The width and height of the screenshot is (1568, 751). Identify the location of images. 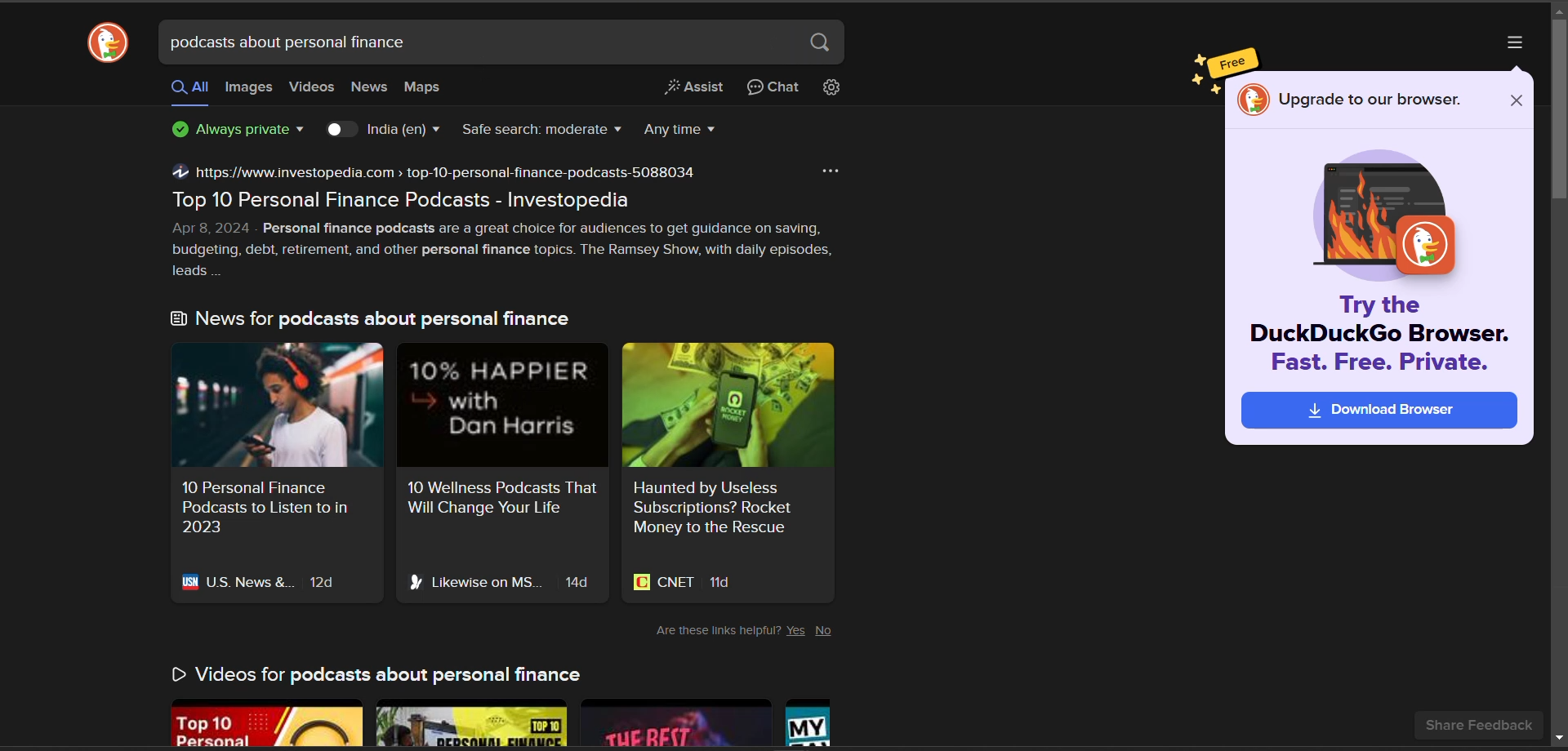
(249, 90).